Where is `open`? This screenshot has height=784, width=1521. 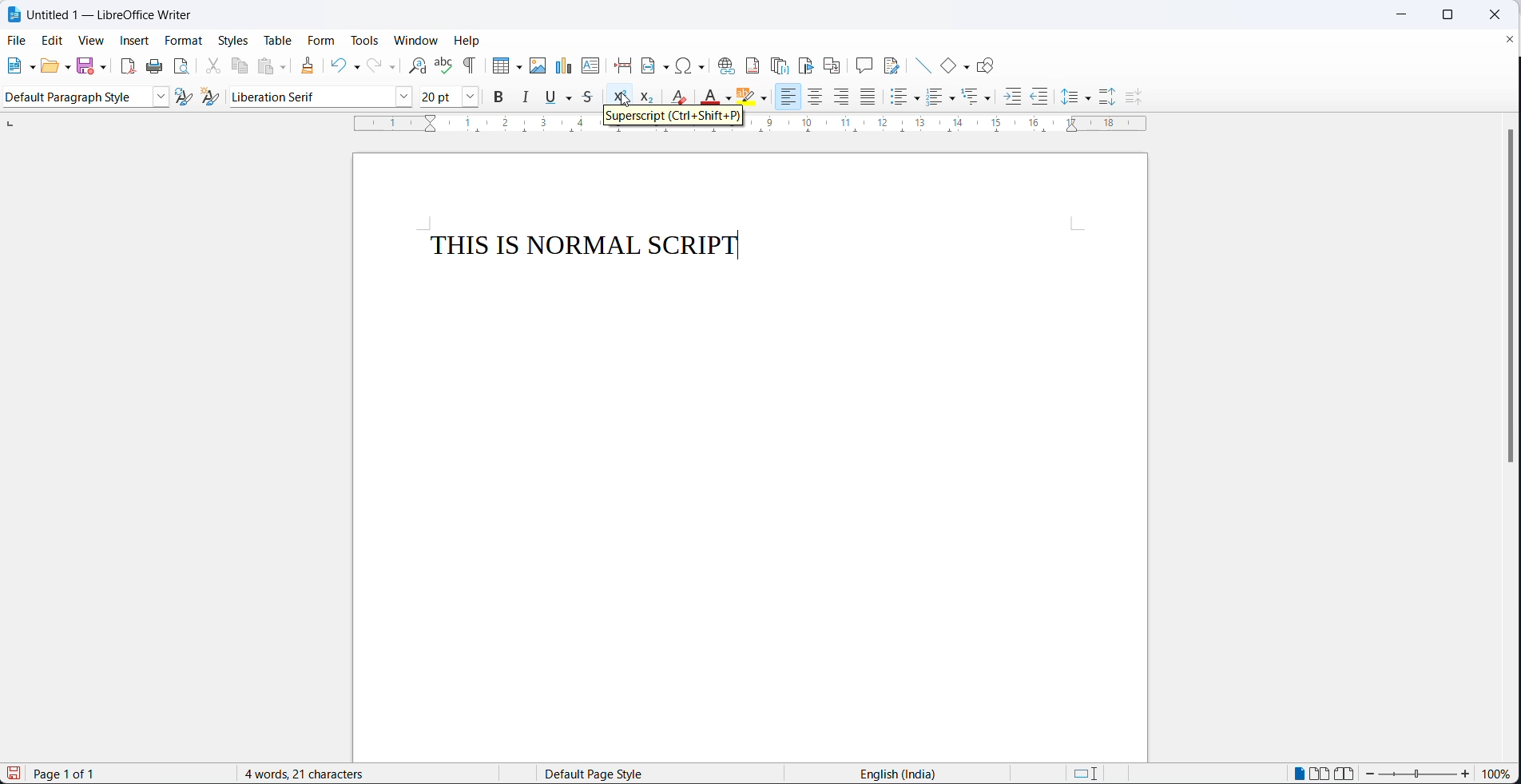 open is located at coordinates (48, 66).